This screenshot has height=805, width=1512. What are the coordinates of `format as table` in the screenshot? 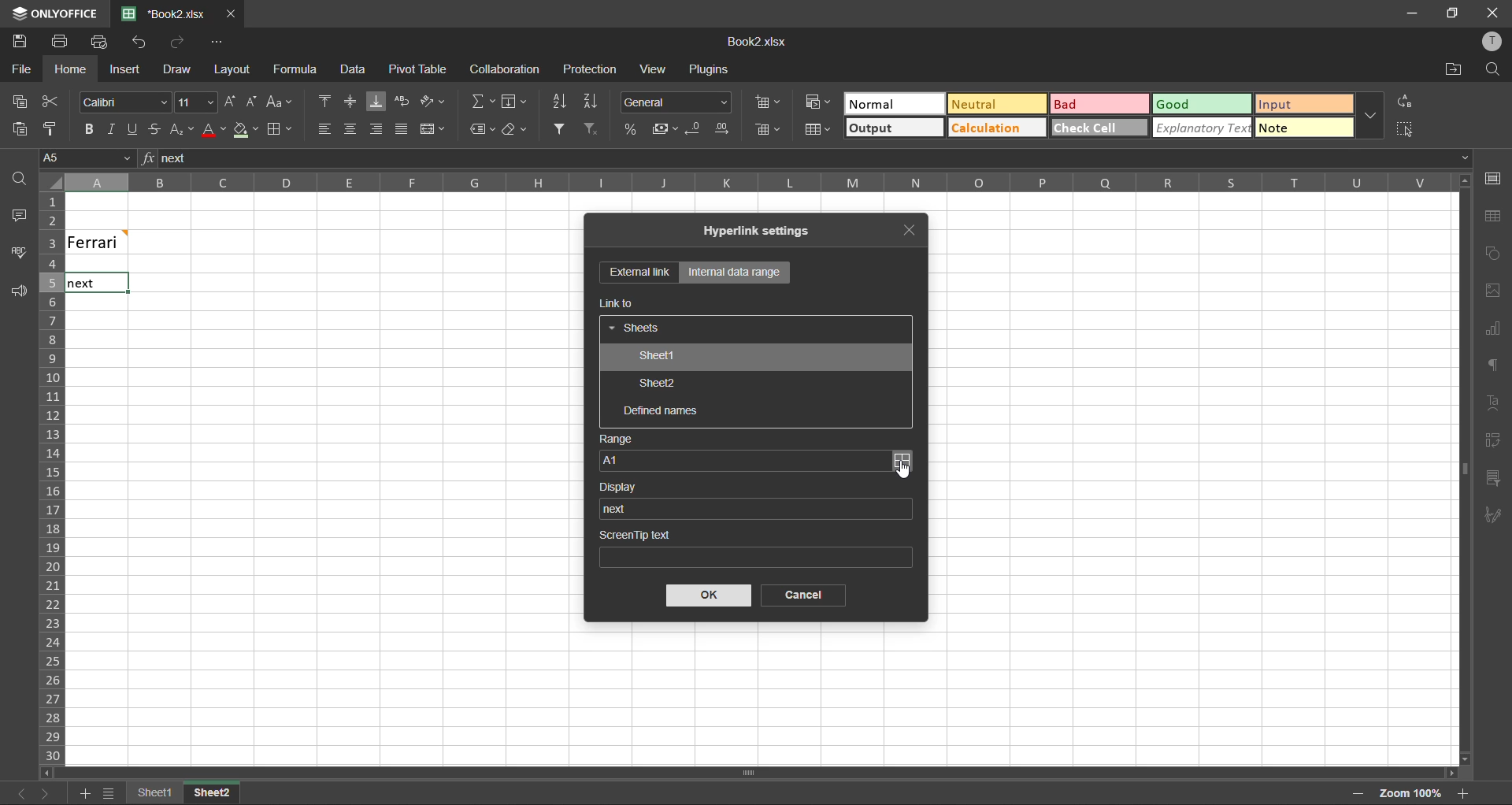 It's located at (815, 130).